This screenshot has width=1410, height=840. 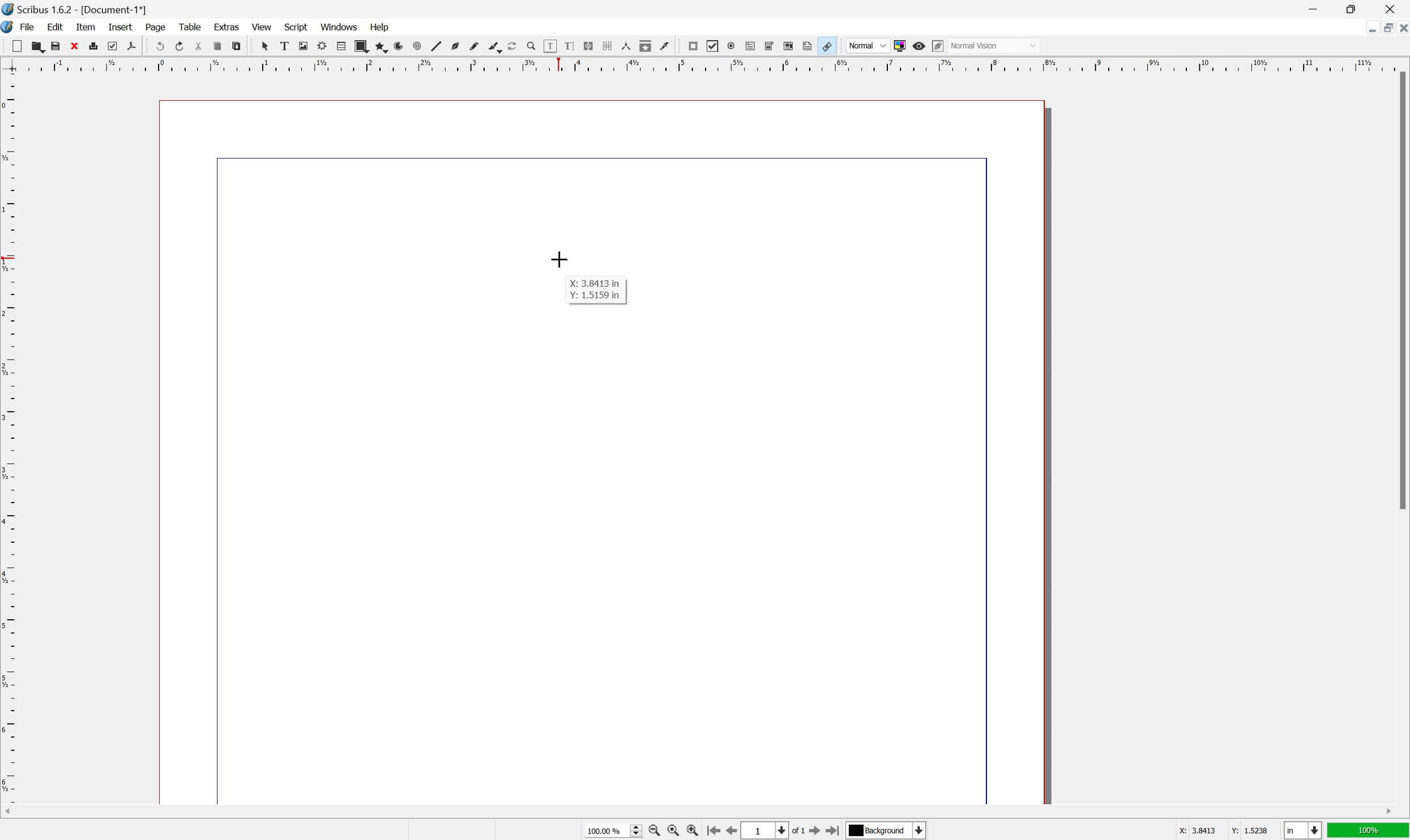 I want to click on link text frames, so click(x=589, y=46).